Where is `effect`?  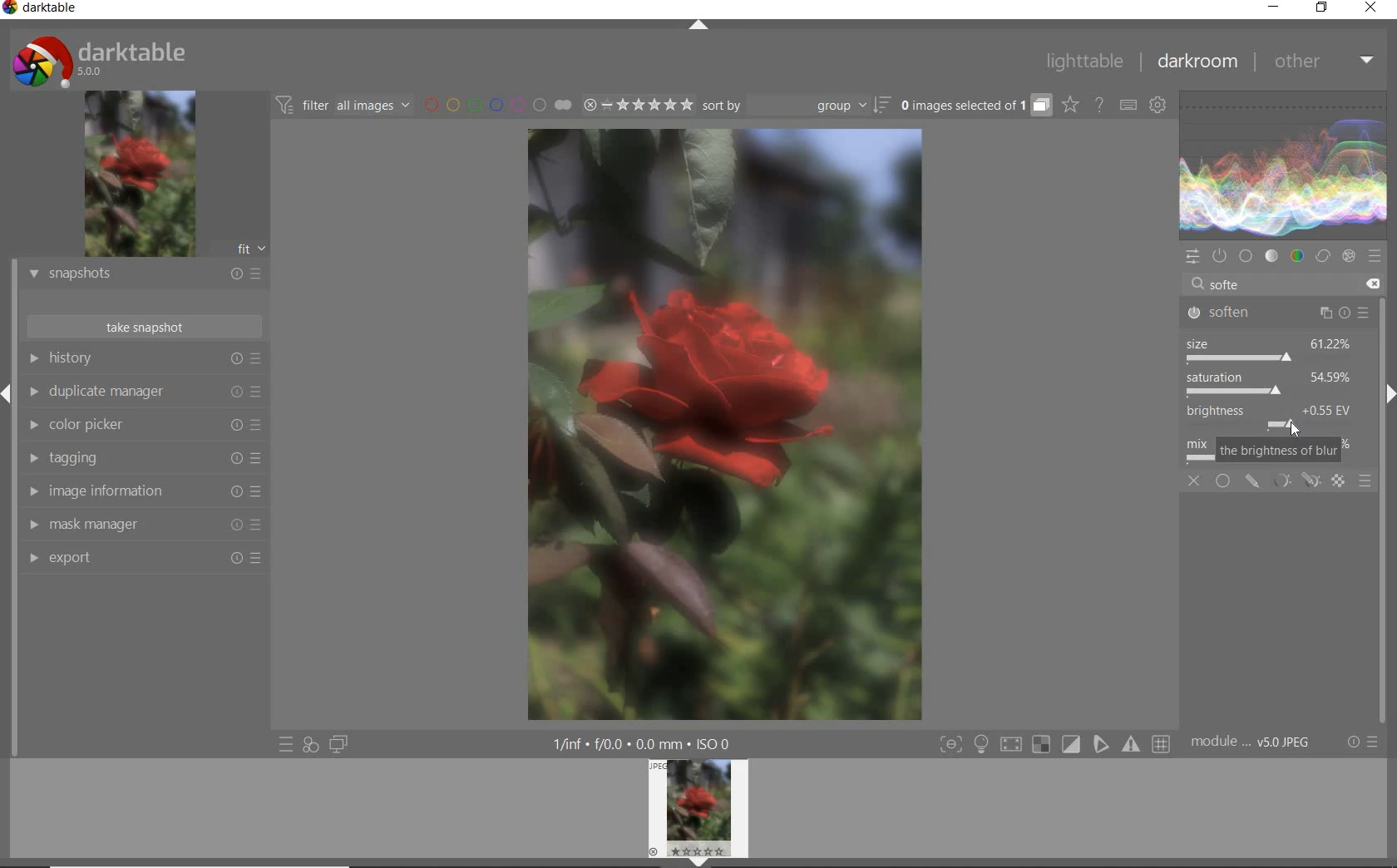
effect is located at coordinates (1348, 257).